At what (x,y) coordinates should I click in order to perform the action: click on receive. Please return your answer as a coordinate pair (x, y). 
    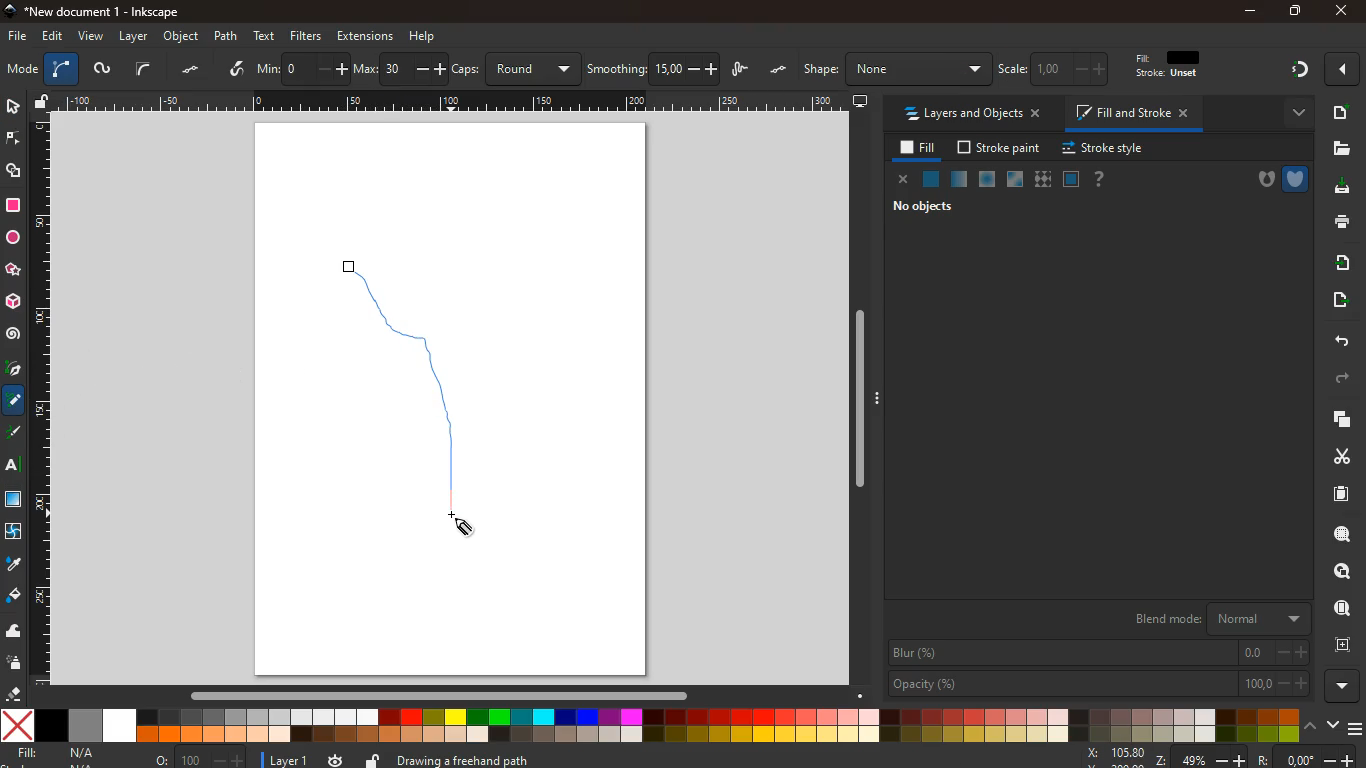
    Looking at the image, I should click on (1337, 263).